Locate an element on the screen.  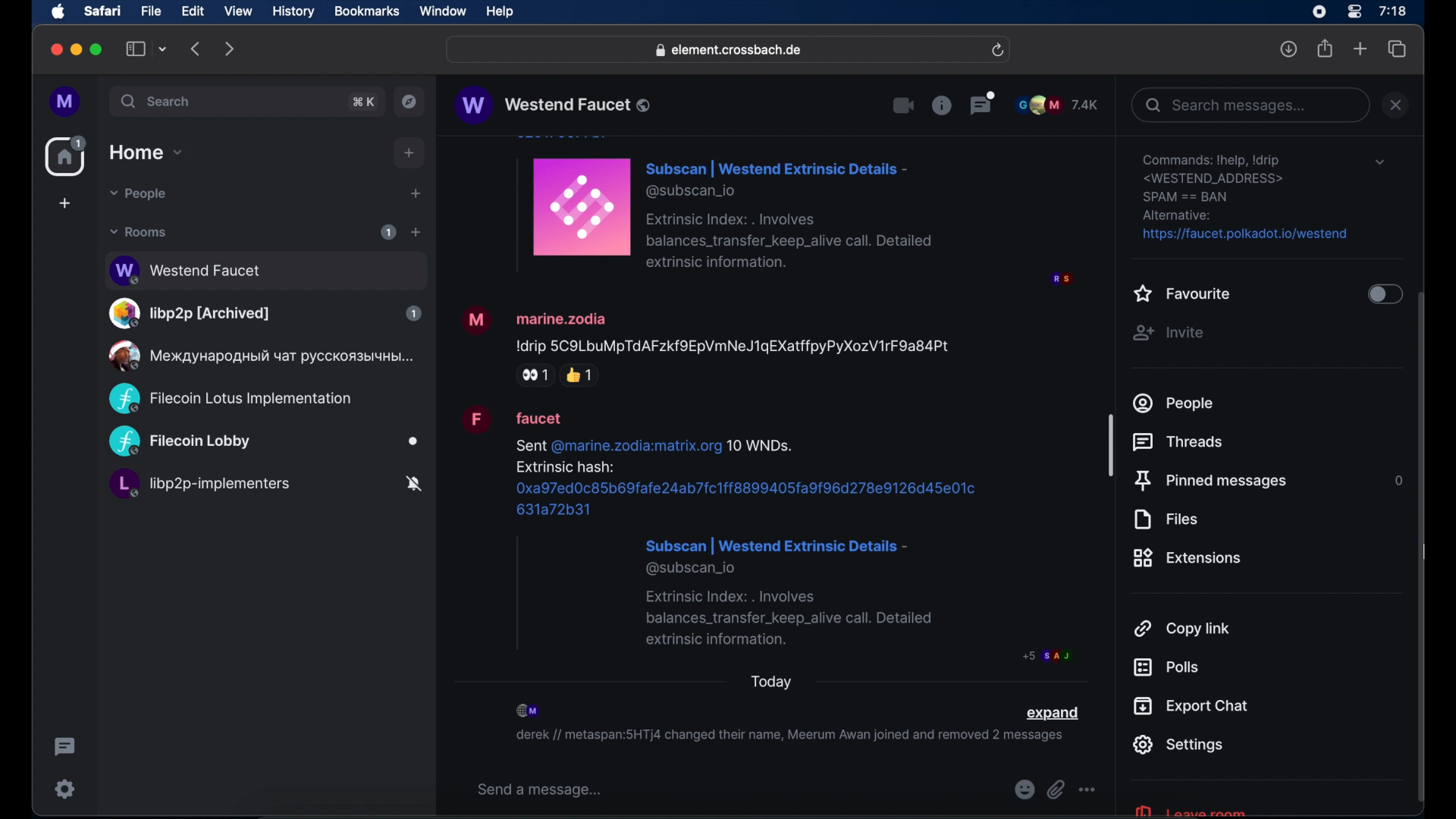
close is located at coordinates (1396, 105).